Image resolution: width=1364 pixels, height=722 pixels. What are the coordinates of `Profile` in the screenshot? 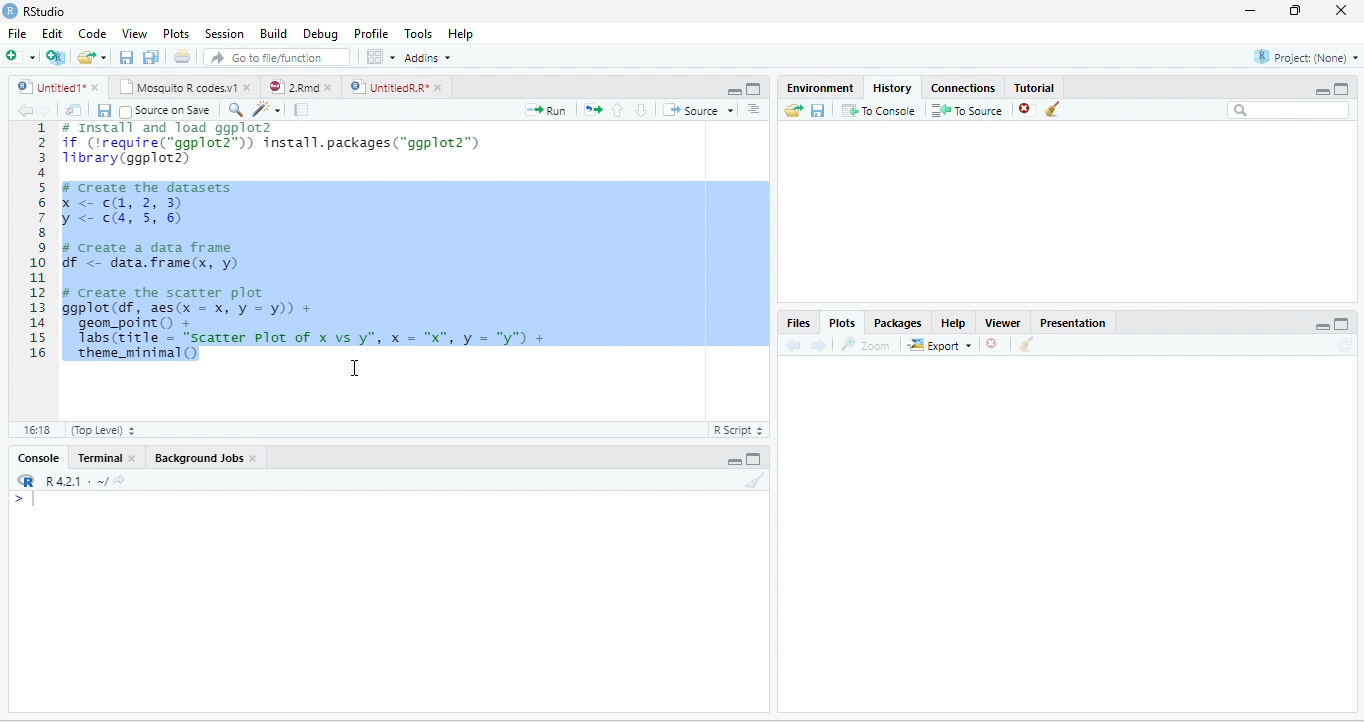 It's located at (371, 33).